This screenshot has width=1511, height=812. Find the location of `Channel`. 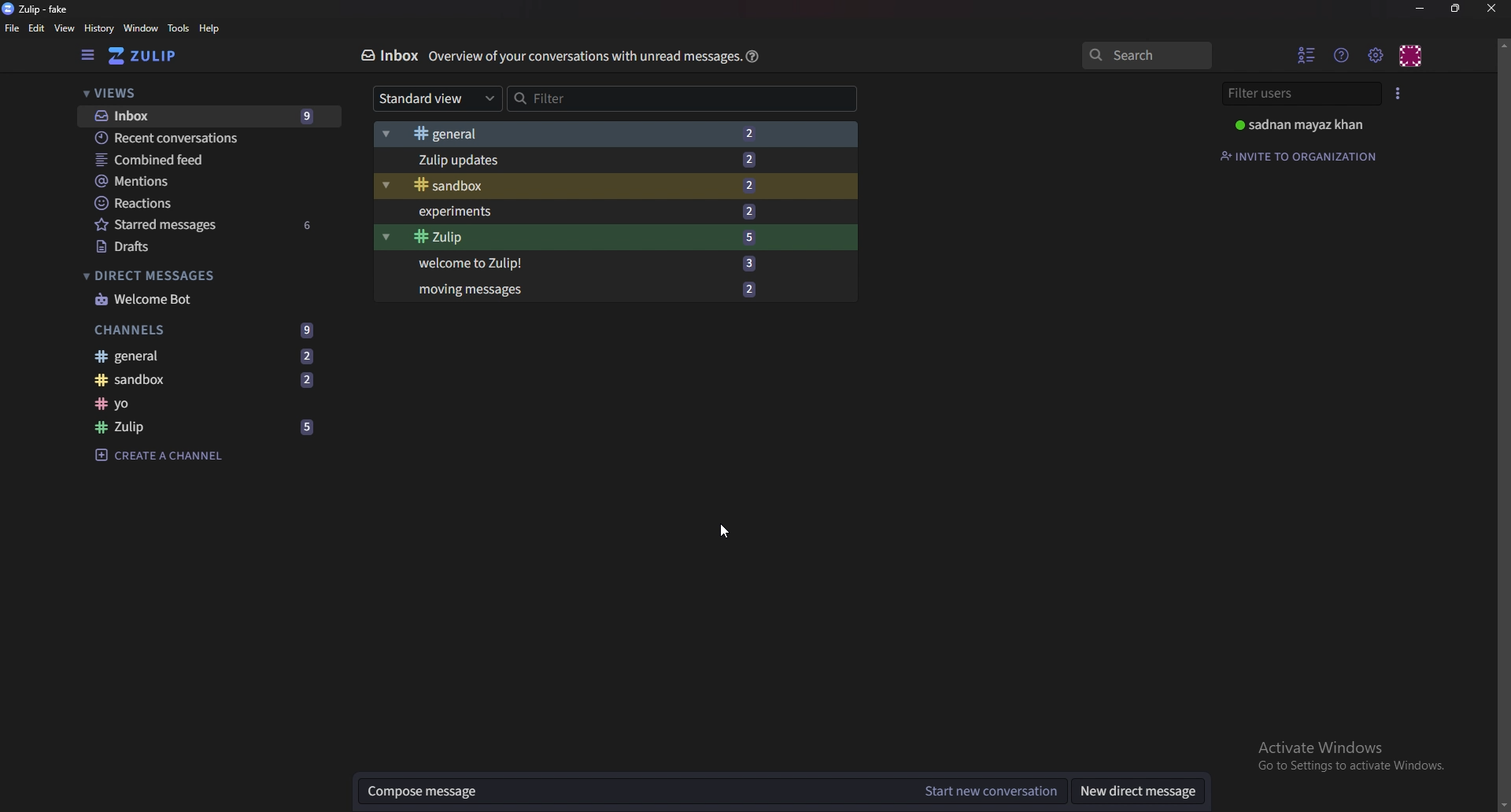

Channel is located at coordinates (208, 403).